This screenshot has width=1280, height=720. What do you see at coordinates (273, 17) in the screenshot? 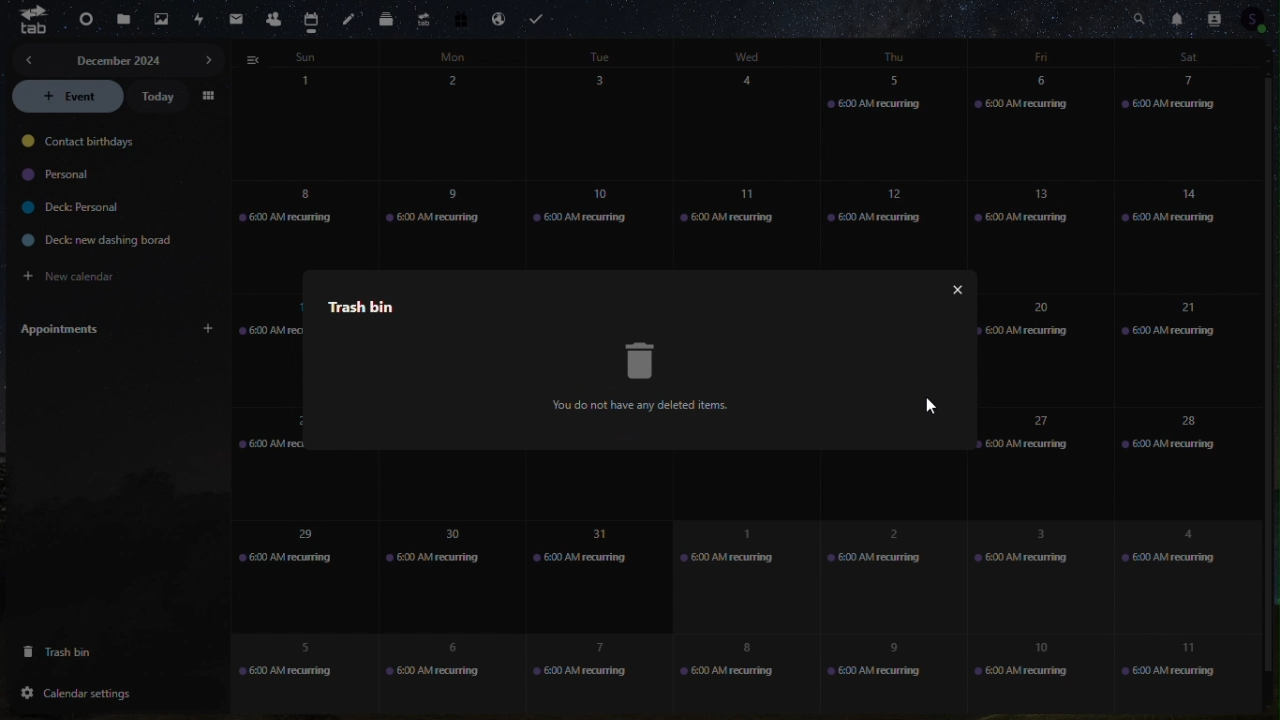
I see `contacts` at bounding box center [273, 17].